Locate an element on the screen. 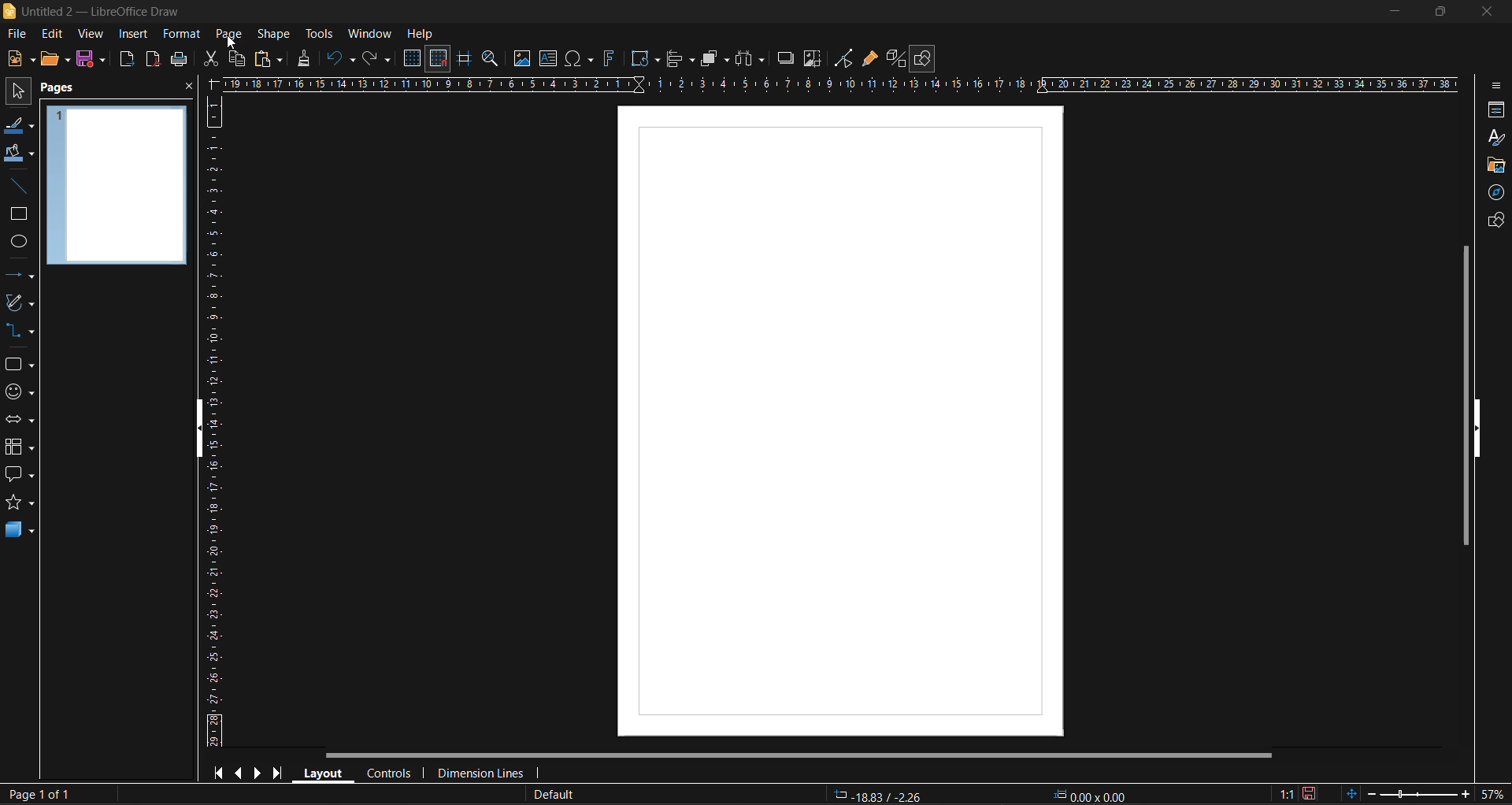 Image resolution: width=1512 pixels, height=805 pixels. format is located at coordinates (180, 33).